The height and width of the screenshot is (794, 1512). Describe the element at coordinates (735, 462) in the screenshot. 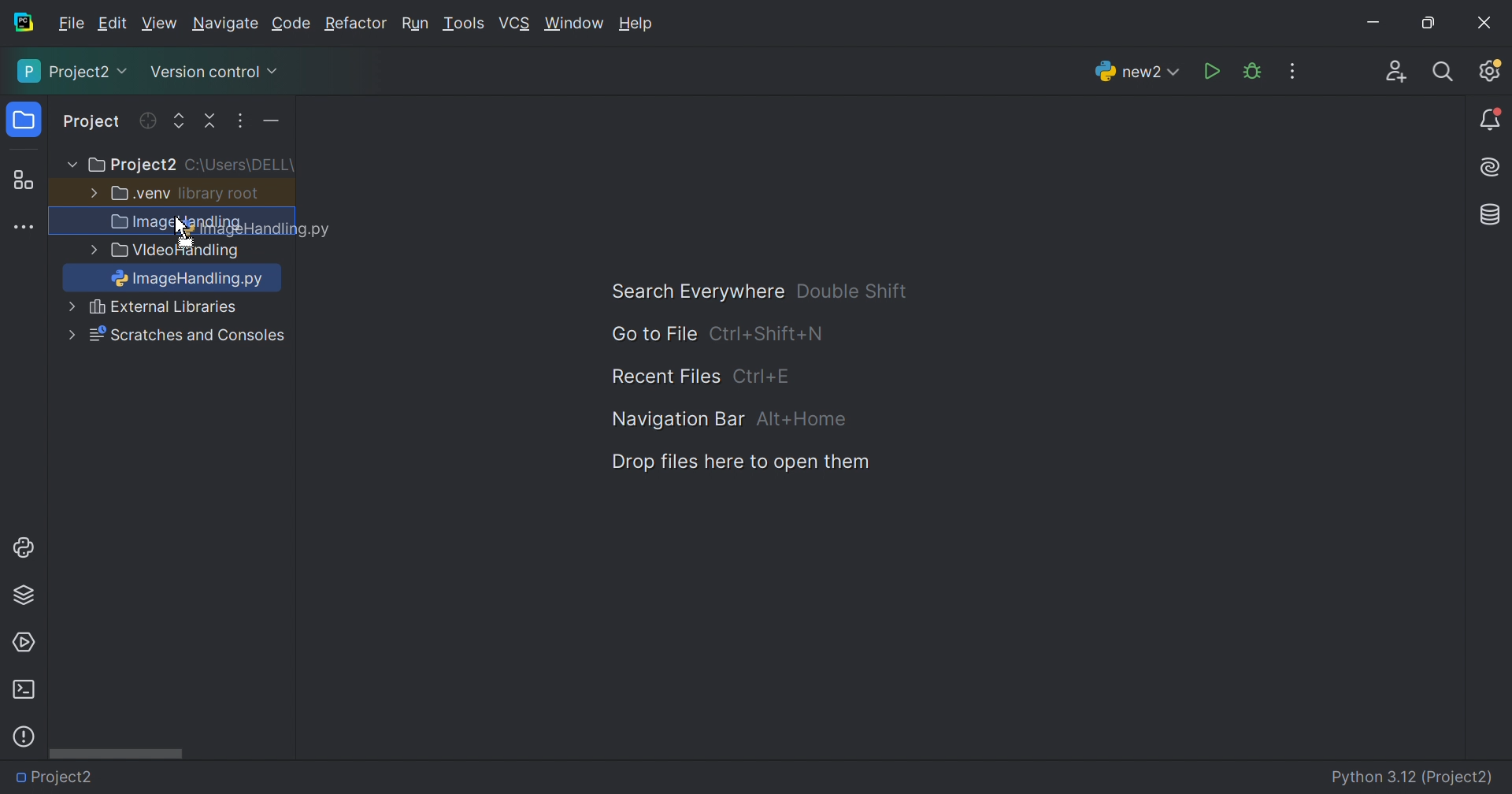

I see `Dop files here to open them` at that location.